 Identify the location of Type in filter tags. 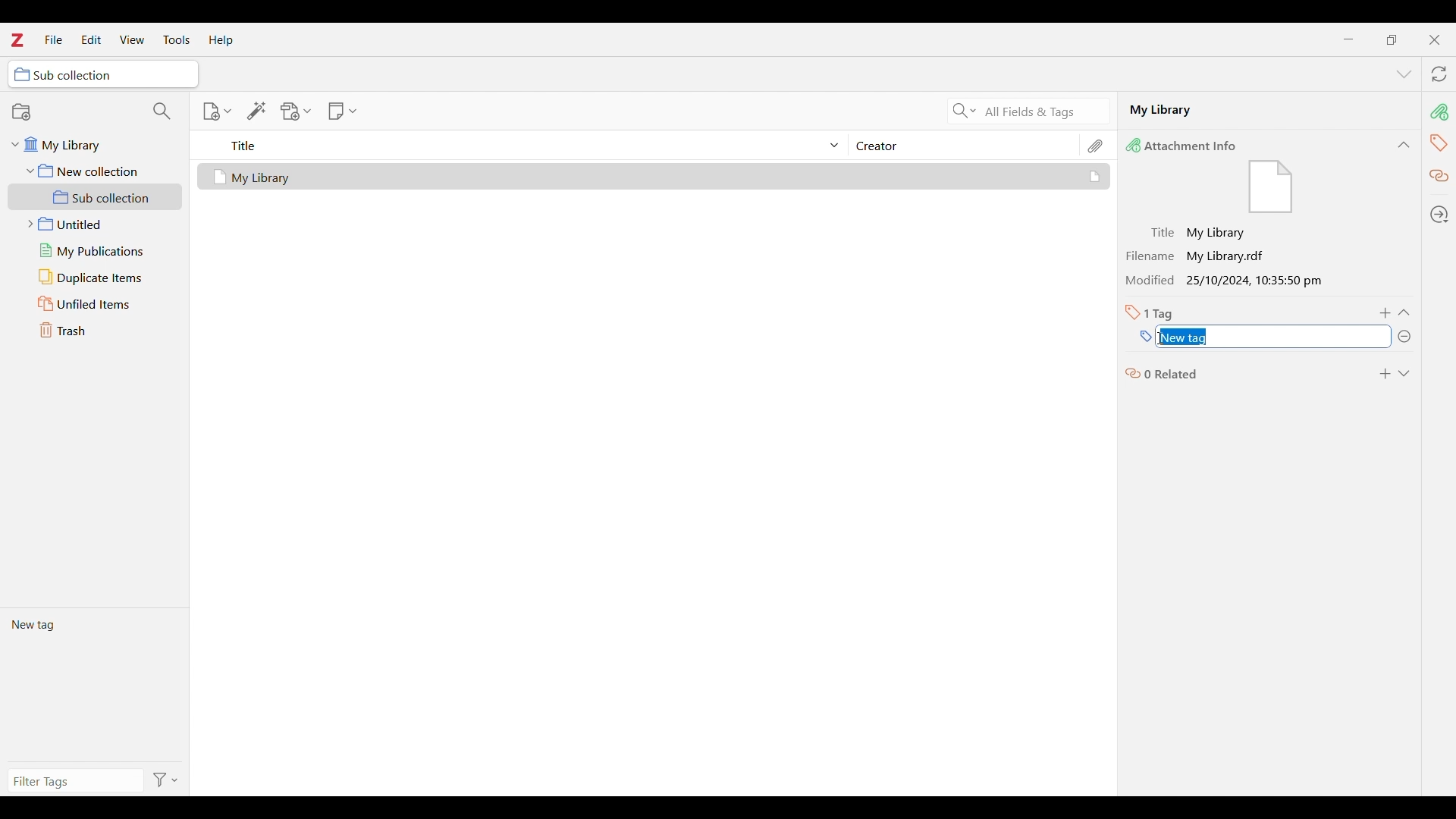
(73, 783).